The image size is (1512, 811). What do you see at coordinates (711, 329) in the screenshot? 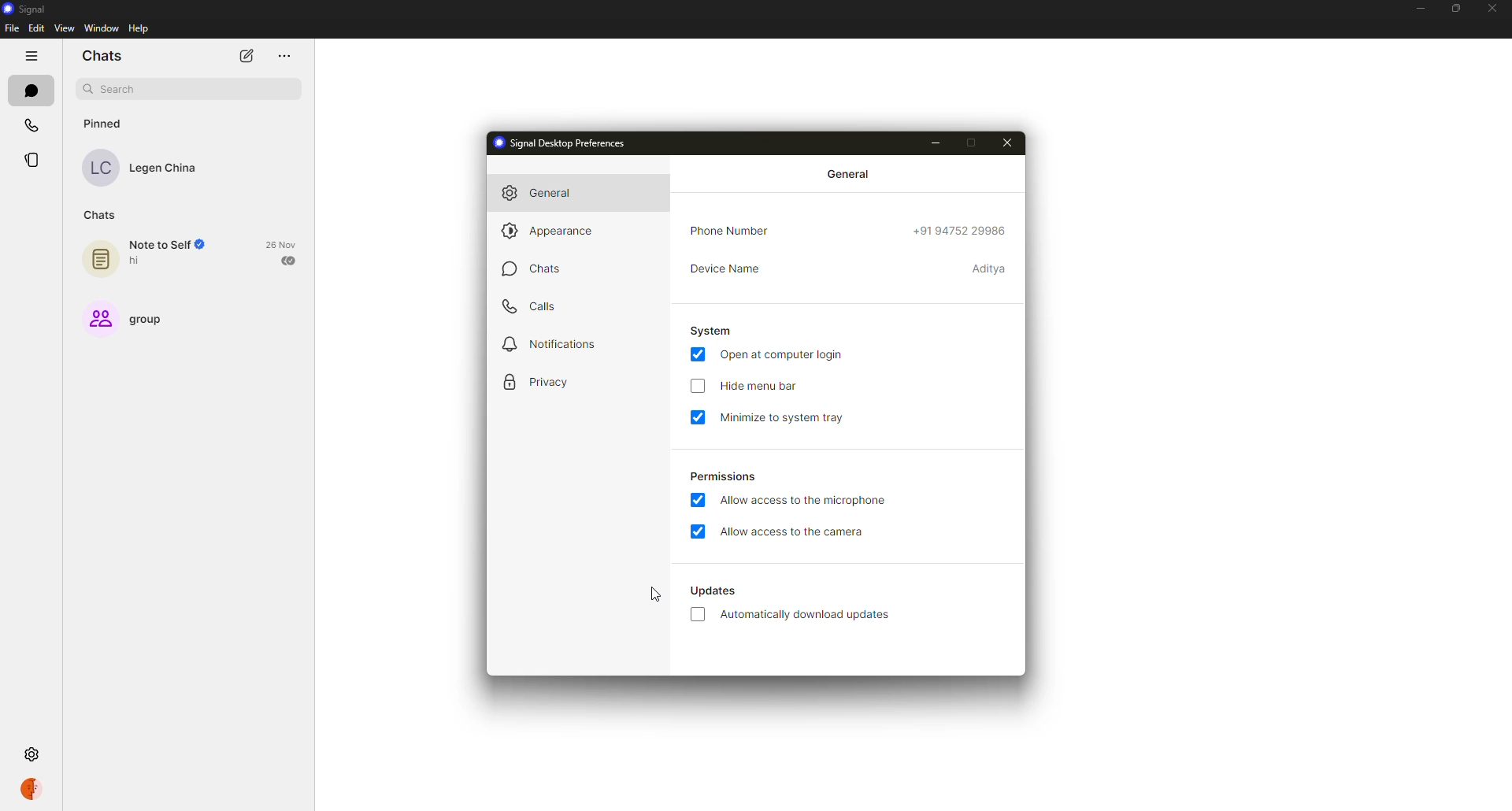
I see `system` at bounding box center [711, 329].